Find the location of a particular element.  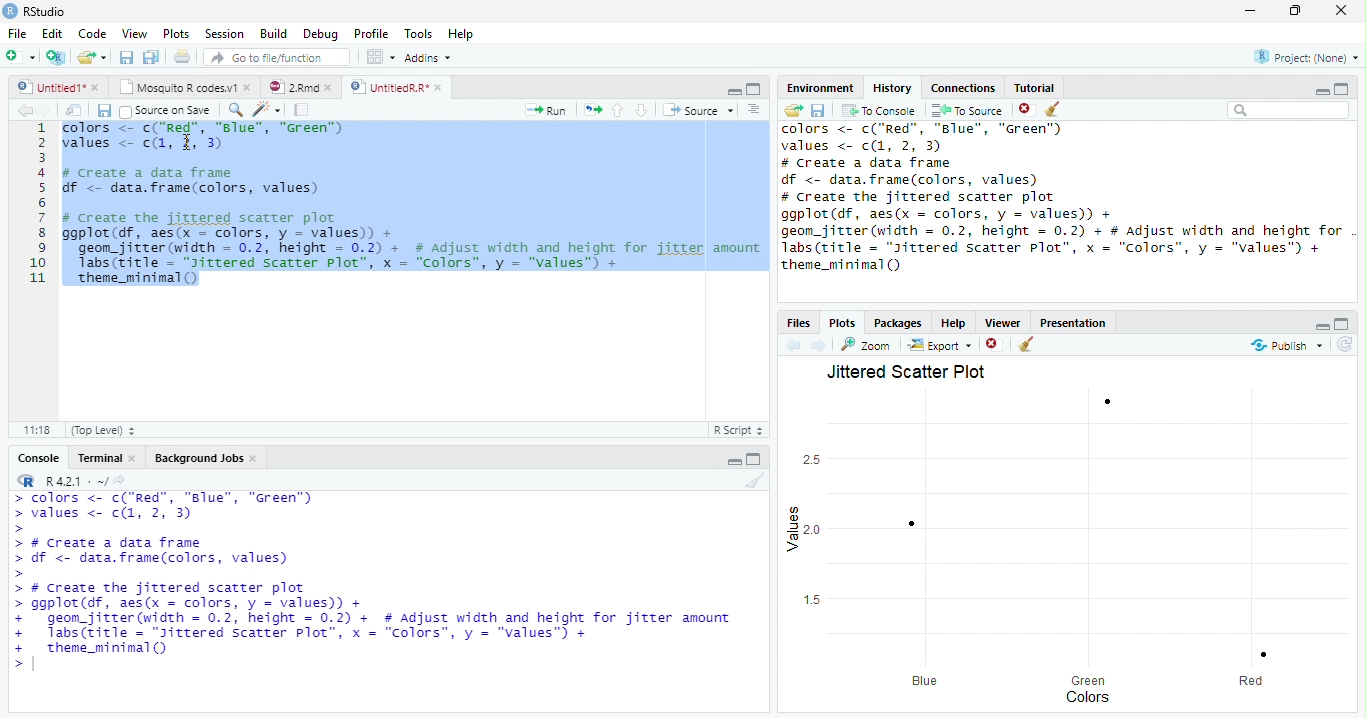

Go to next section/chunk is located at coordinates (641, 110).